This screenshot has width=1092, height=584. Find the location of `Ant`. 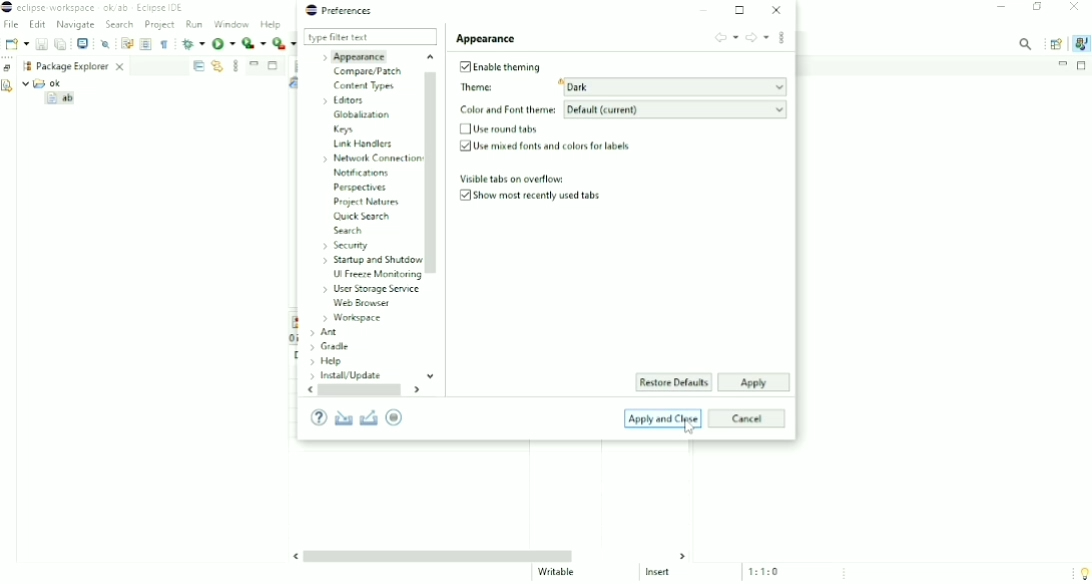

Ant is located at coordinates (323, 332).